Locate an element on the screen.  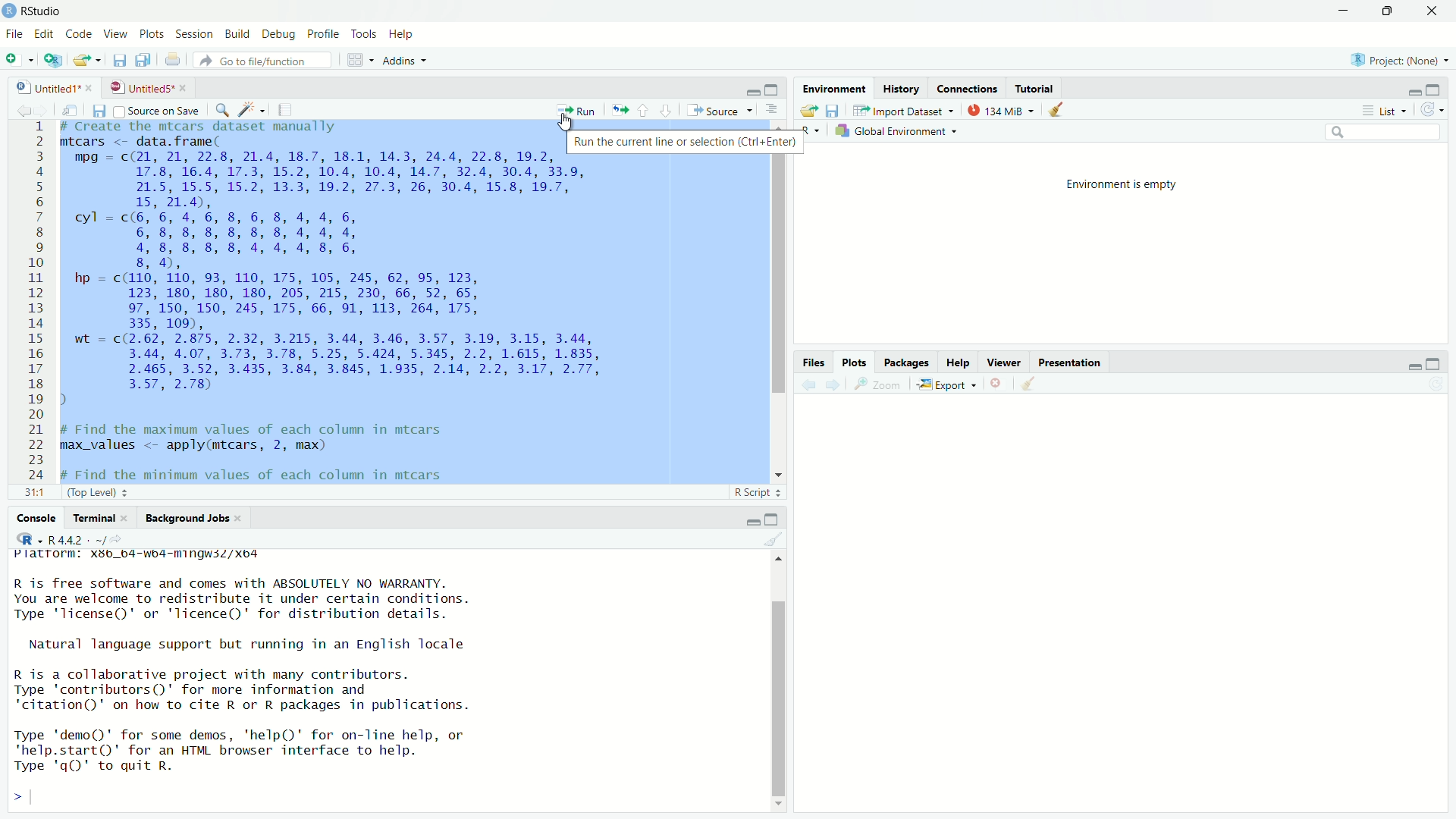
Viewer is located at coordinates (1001, 359).